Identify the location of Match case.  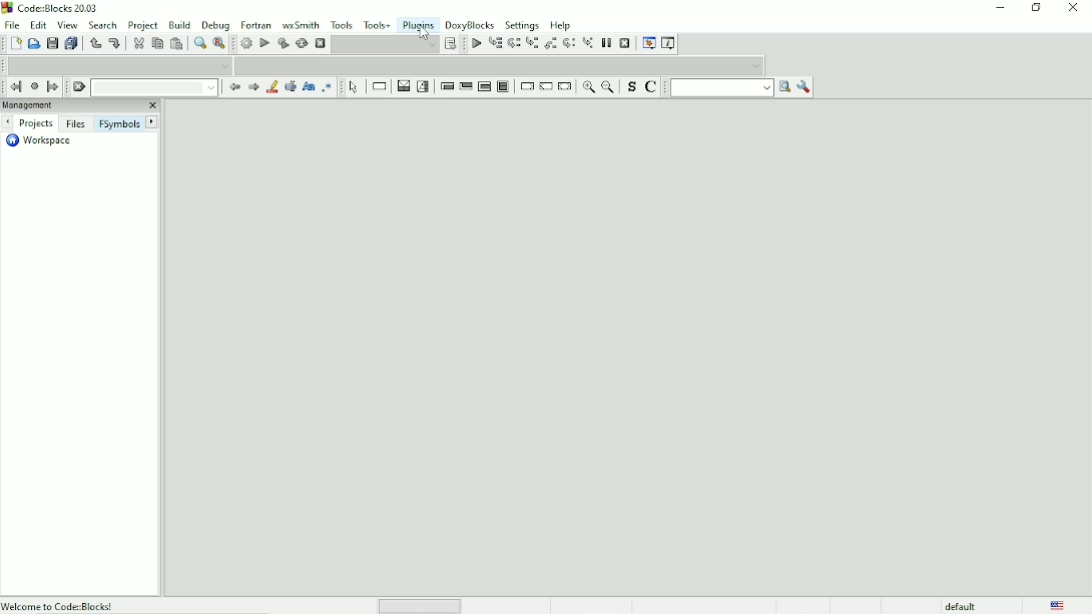
(308, 87).